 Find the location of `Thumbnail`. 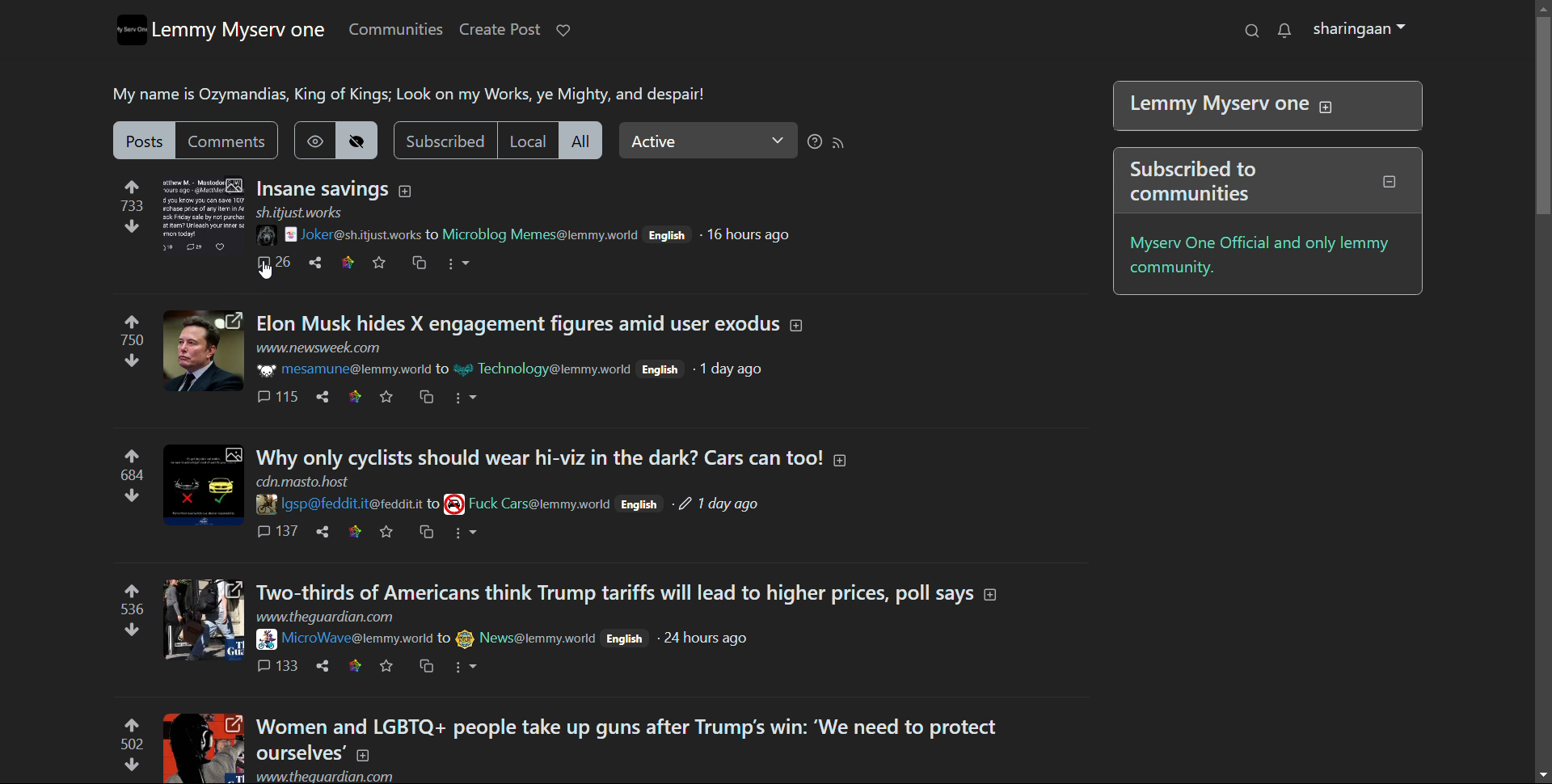

Thumbnail is located at coordinates (202, 214).